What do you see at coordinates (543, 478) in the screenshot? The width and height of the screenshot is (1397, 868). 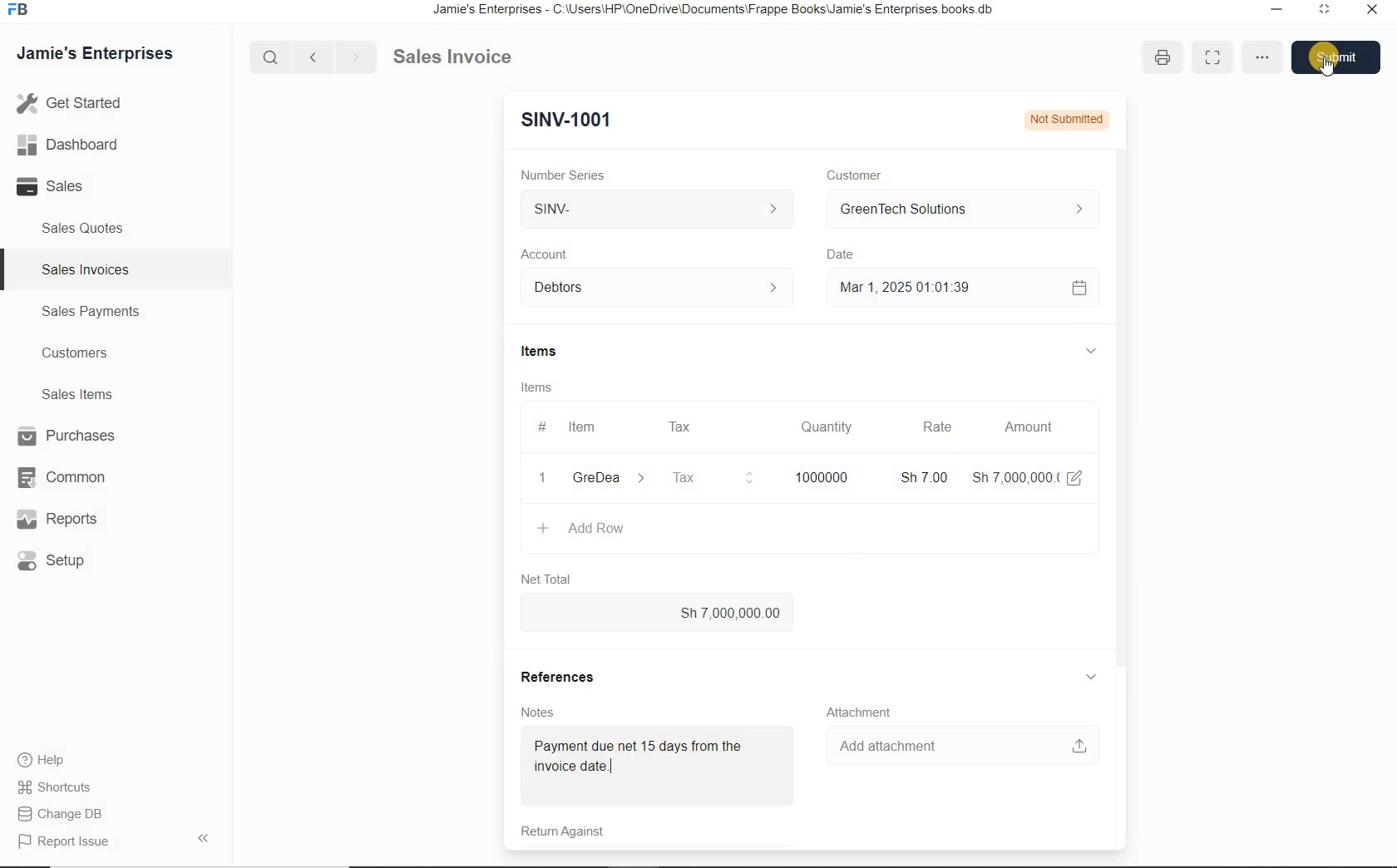 I see `1` at bounding box center [543, 478].